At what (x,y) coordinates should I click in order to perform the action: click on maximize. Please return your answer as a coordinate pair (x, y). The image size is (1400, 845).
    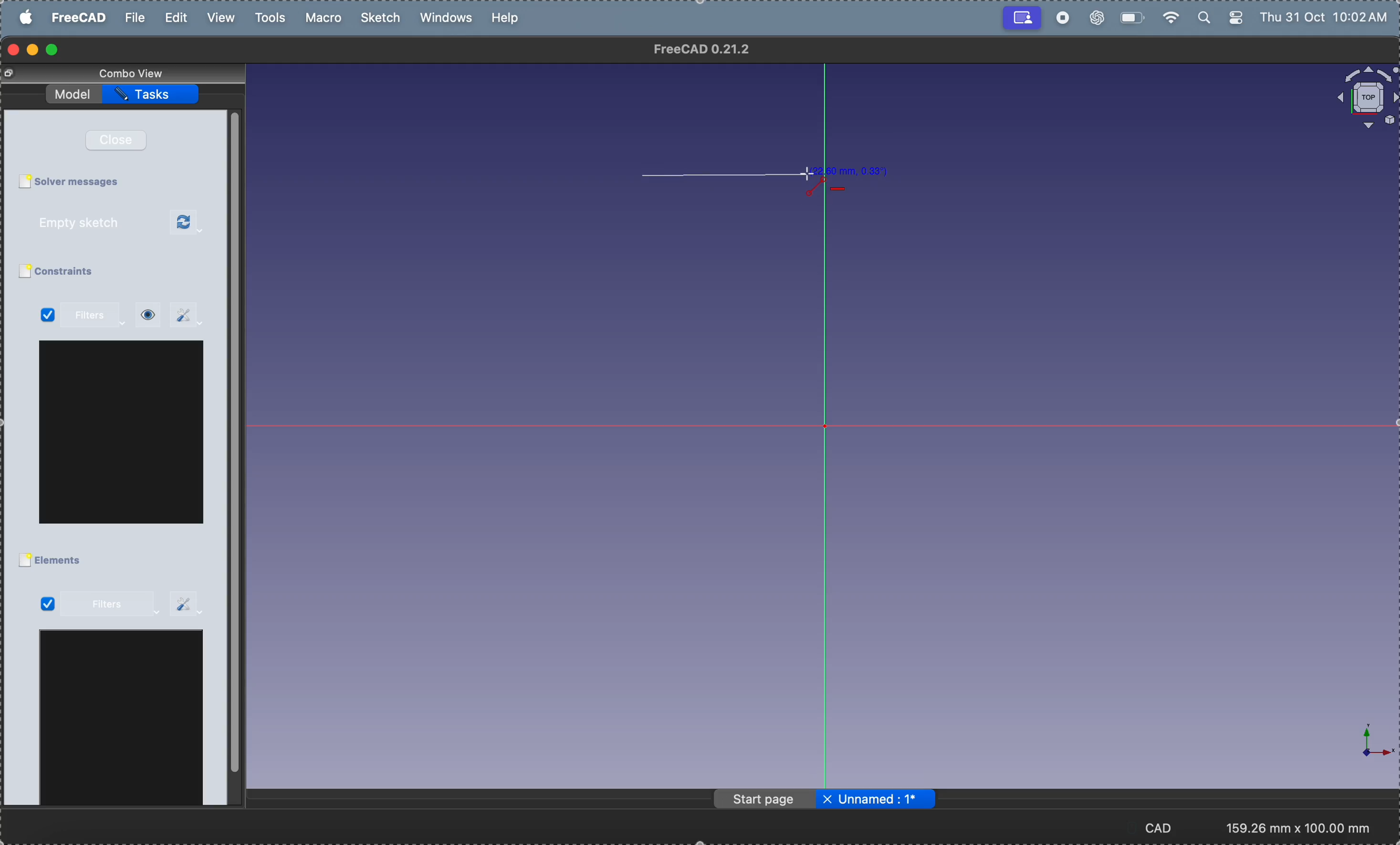
    Looking at the image, I should click on (53, 51).